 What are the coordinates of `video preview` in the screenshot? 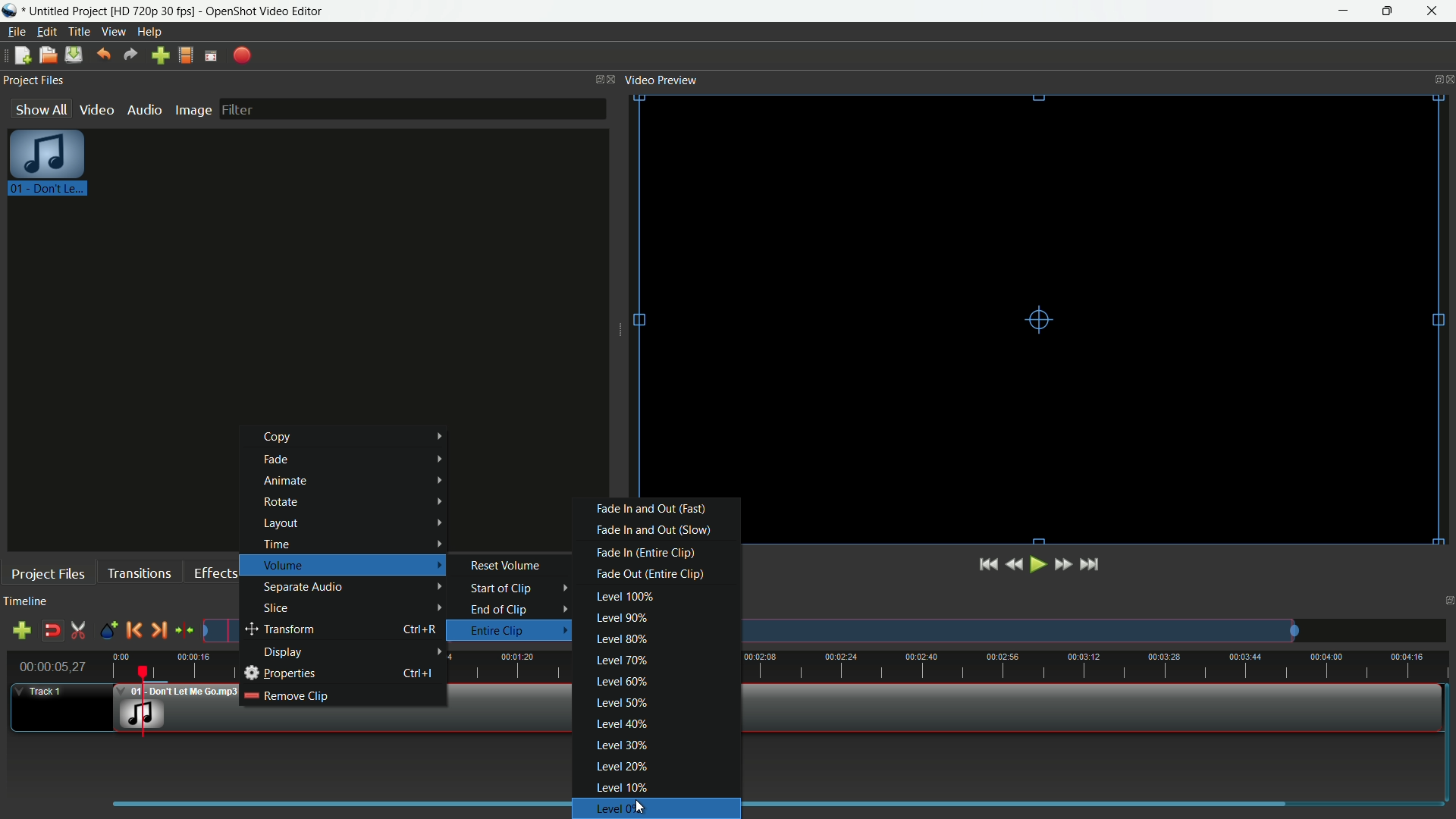 It's located at (1041, 295).